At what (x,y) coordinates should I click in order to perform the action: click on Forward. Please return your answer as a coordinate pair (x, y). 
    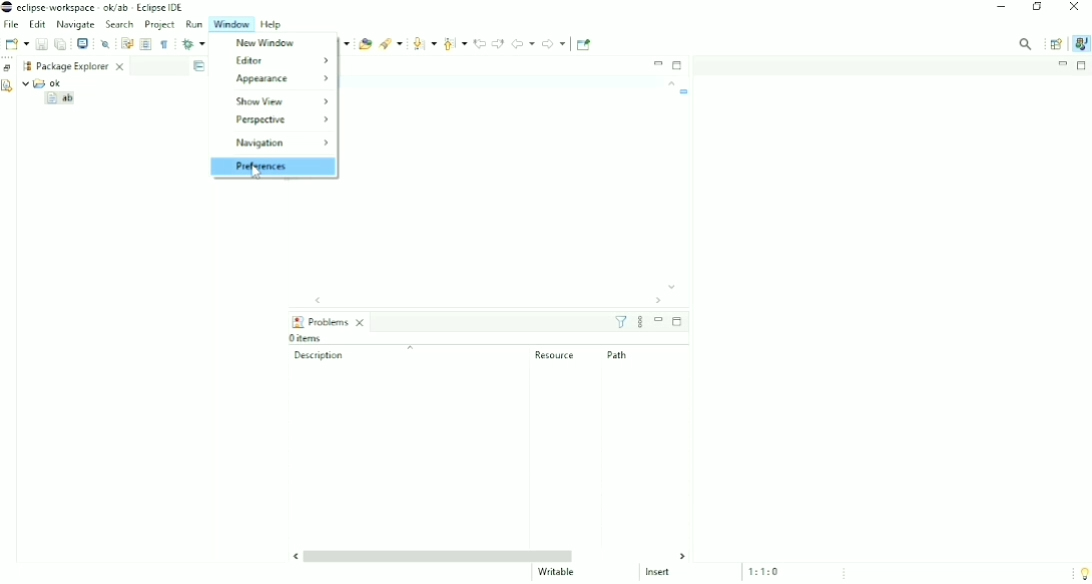
    Looking at the image, I should click on (555, 43).